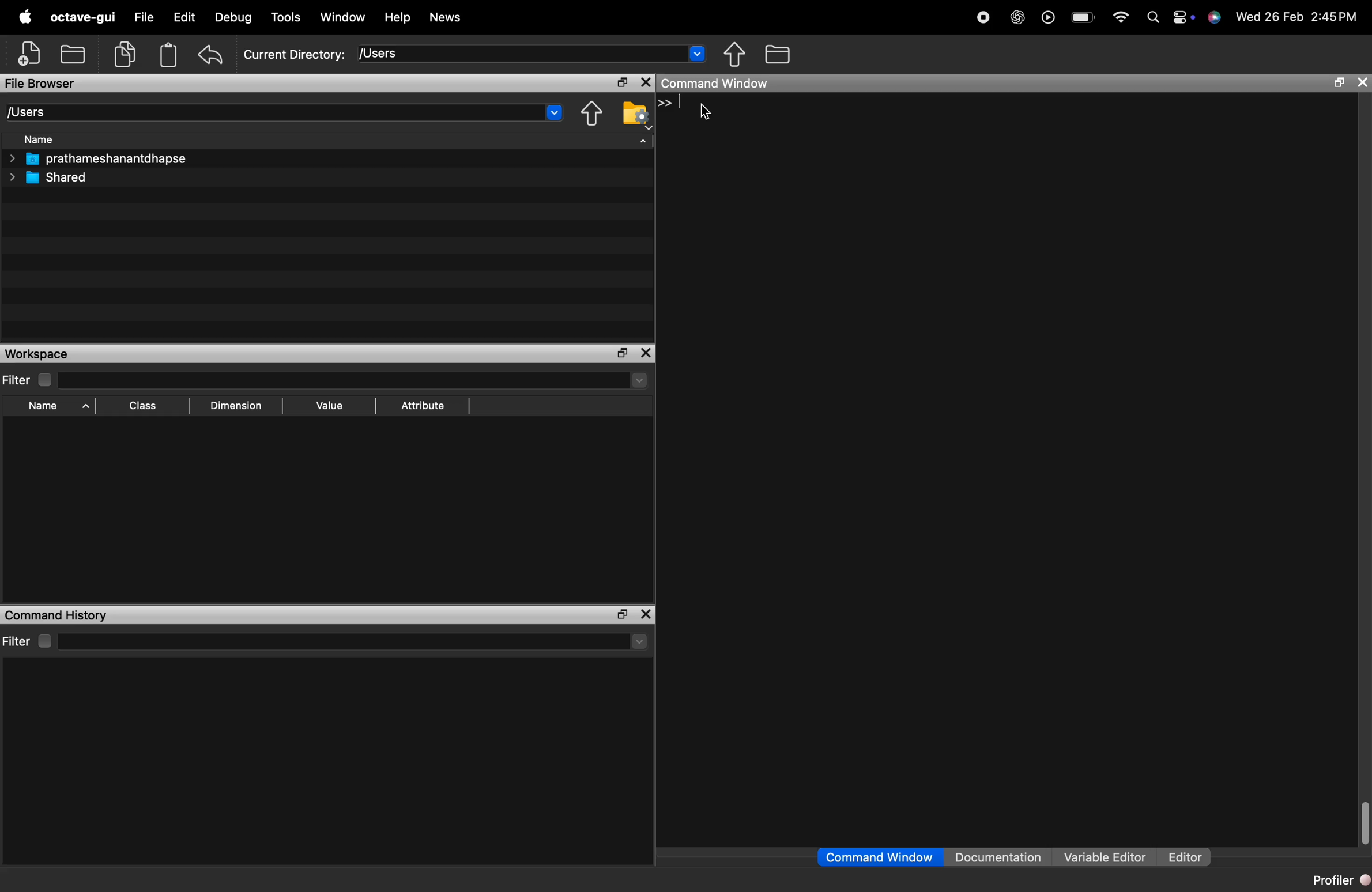  I want to click on play, so click(1047, 16).